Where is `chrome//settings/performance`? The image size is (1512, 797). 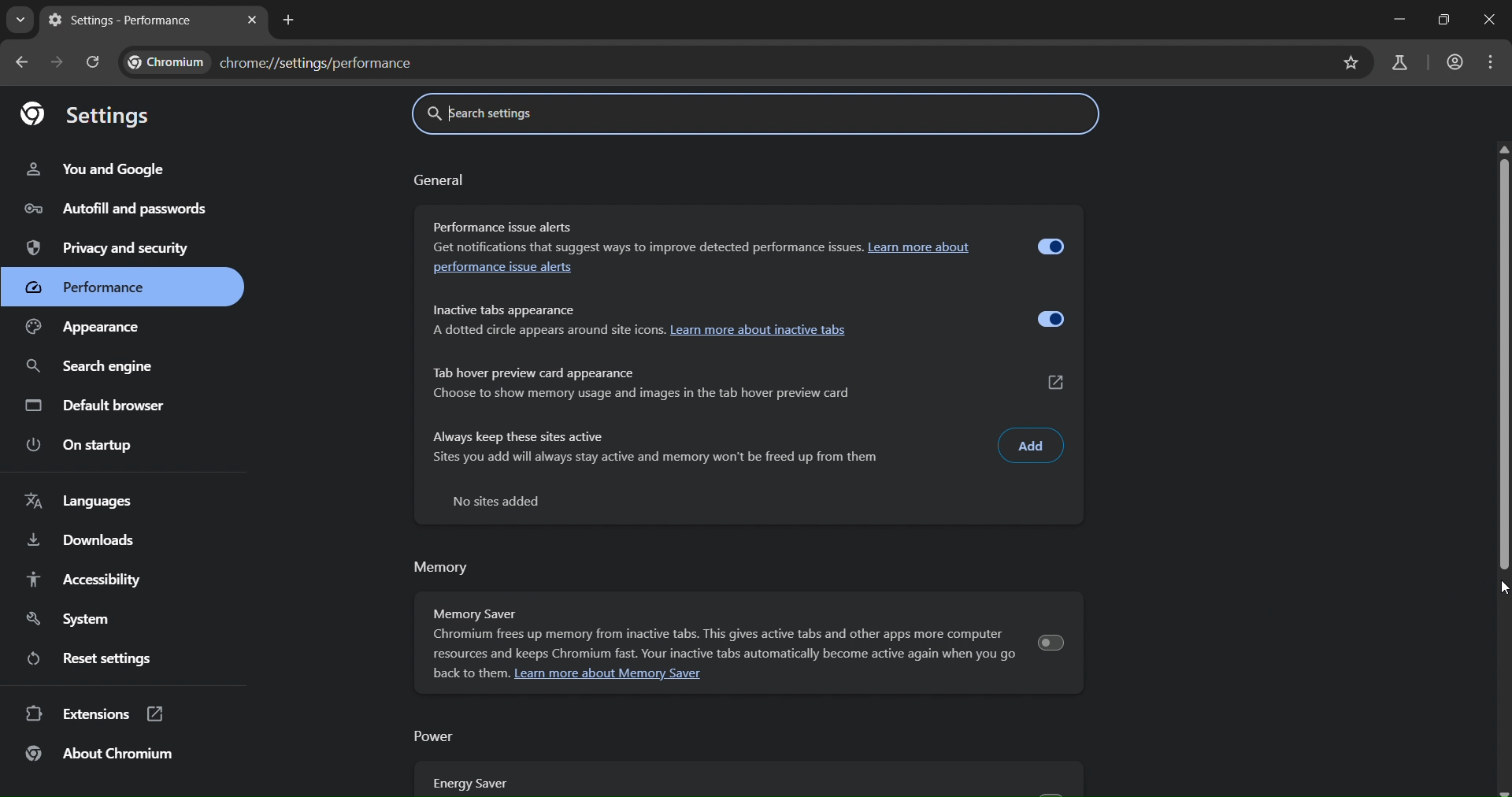 chrome//settings/performance is located at coordinates (276, 59).